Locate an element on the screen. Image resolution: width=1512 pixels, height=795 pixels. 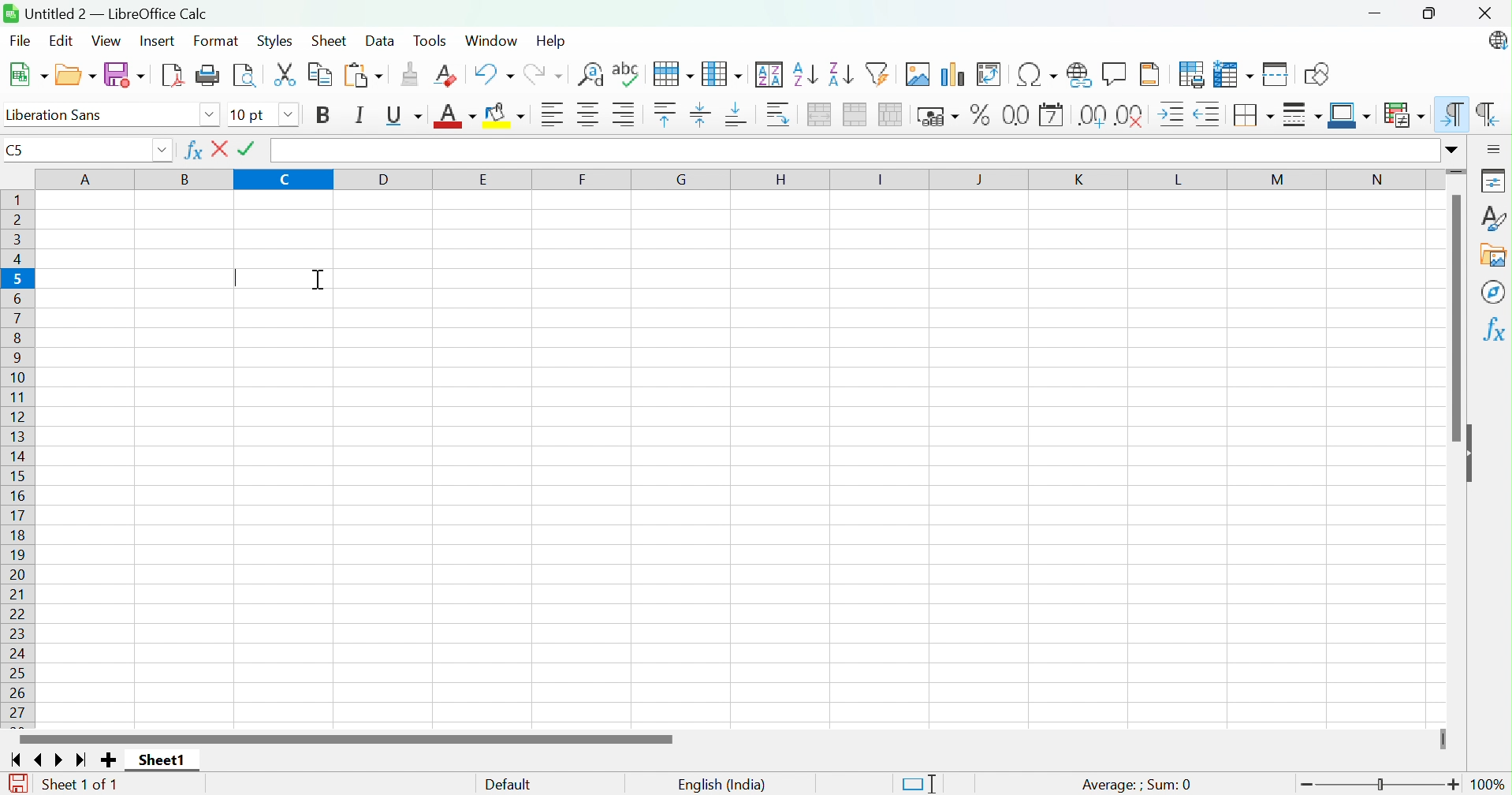
Name box is located at coordinates (72, 151).